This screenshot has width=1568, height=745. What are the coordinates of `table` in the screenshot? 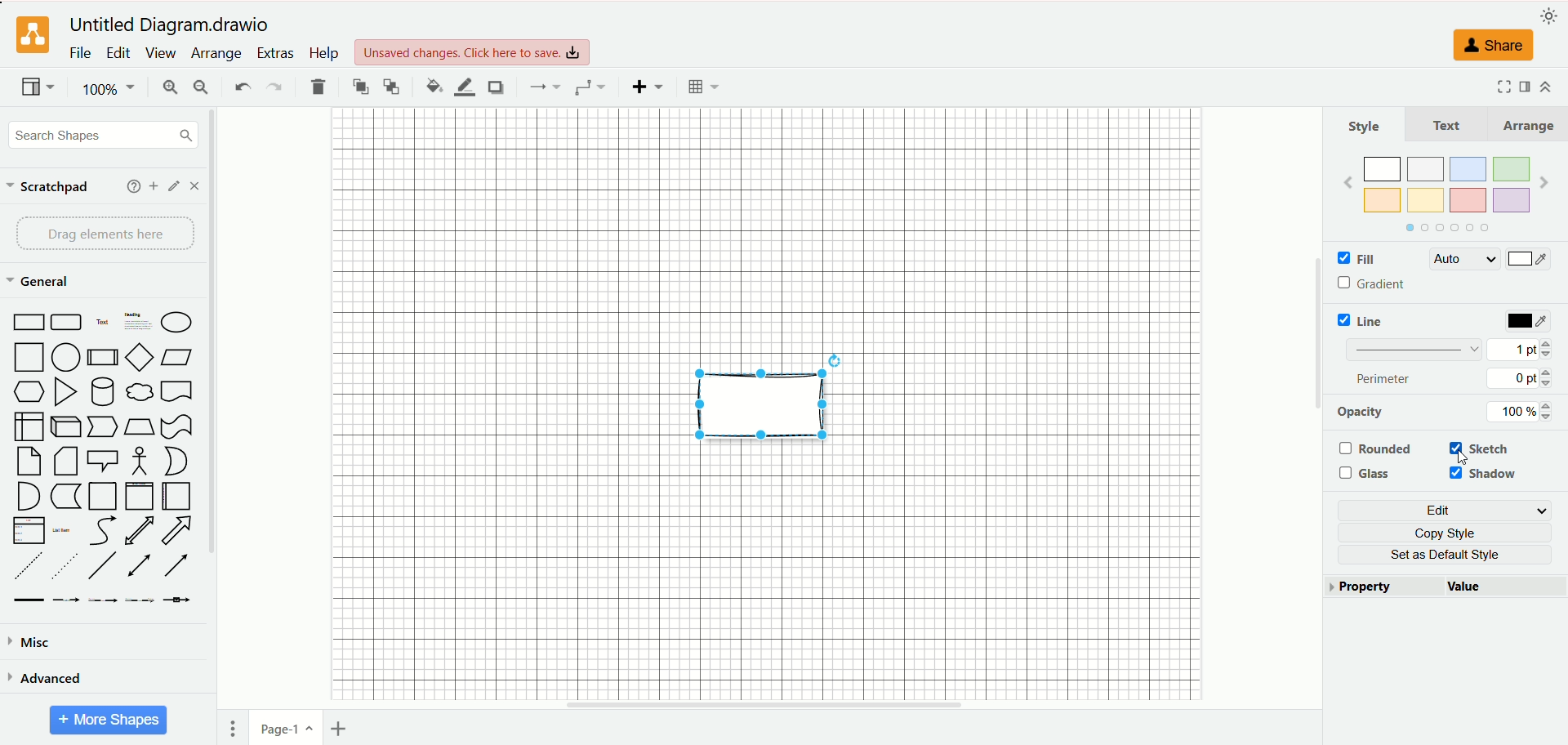 It's located at (703, 87).